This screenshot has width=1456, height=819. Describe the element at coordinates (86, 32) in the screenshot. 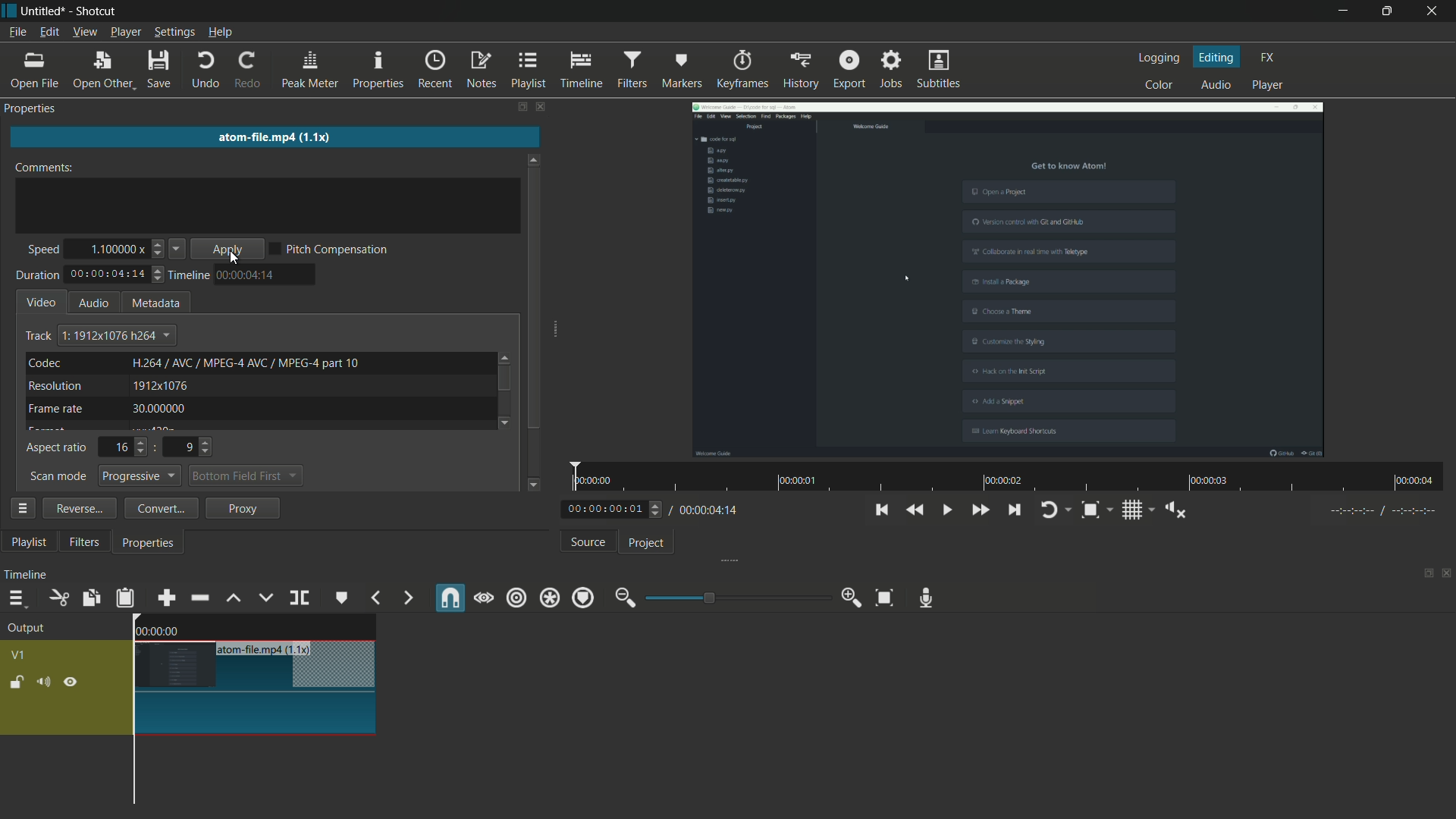

I see `view menu` at that location.